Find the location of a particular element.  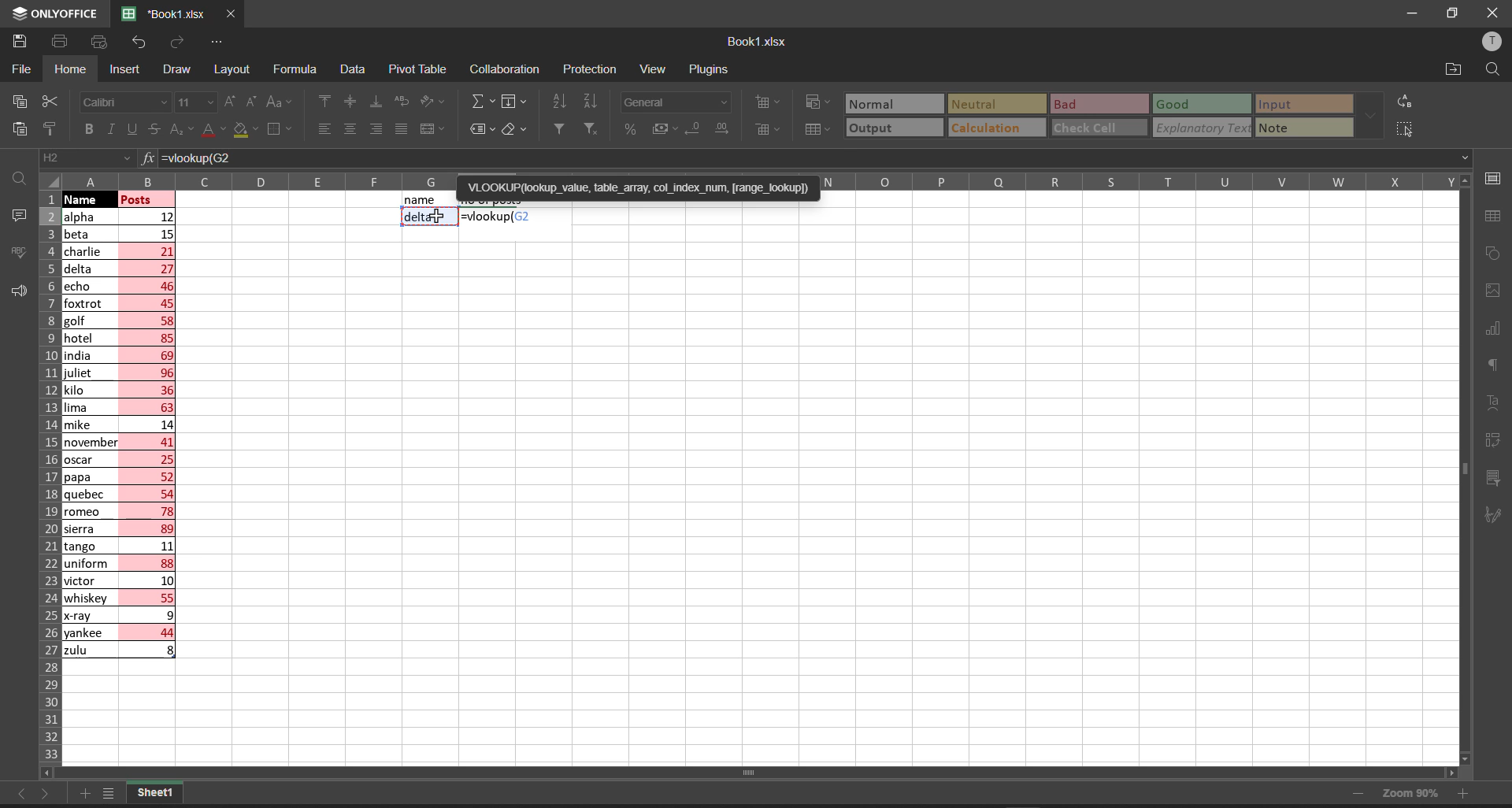

clear filters is located at coordinates (591, 128).